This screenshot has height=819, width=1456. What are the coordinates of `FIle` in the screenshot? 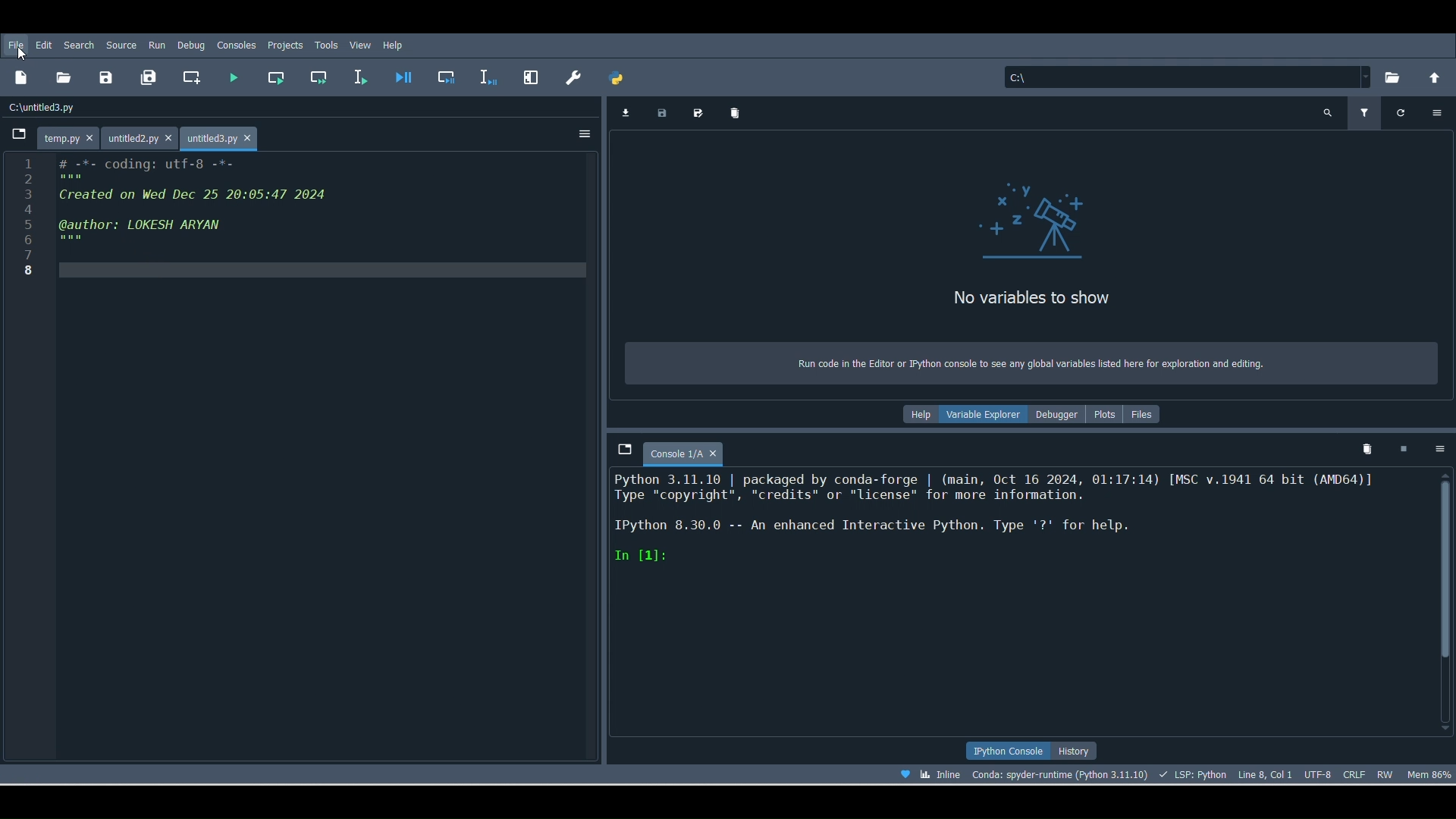 It's located at (20, 45).